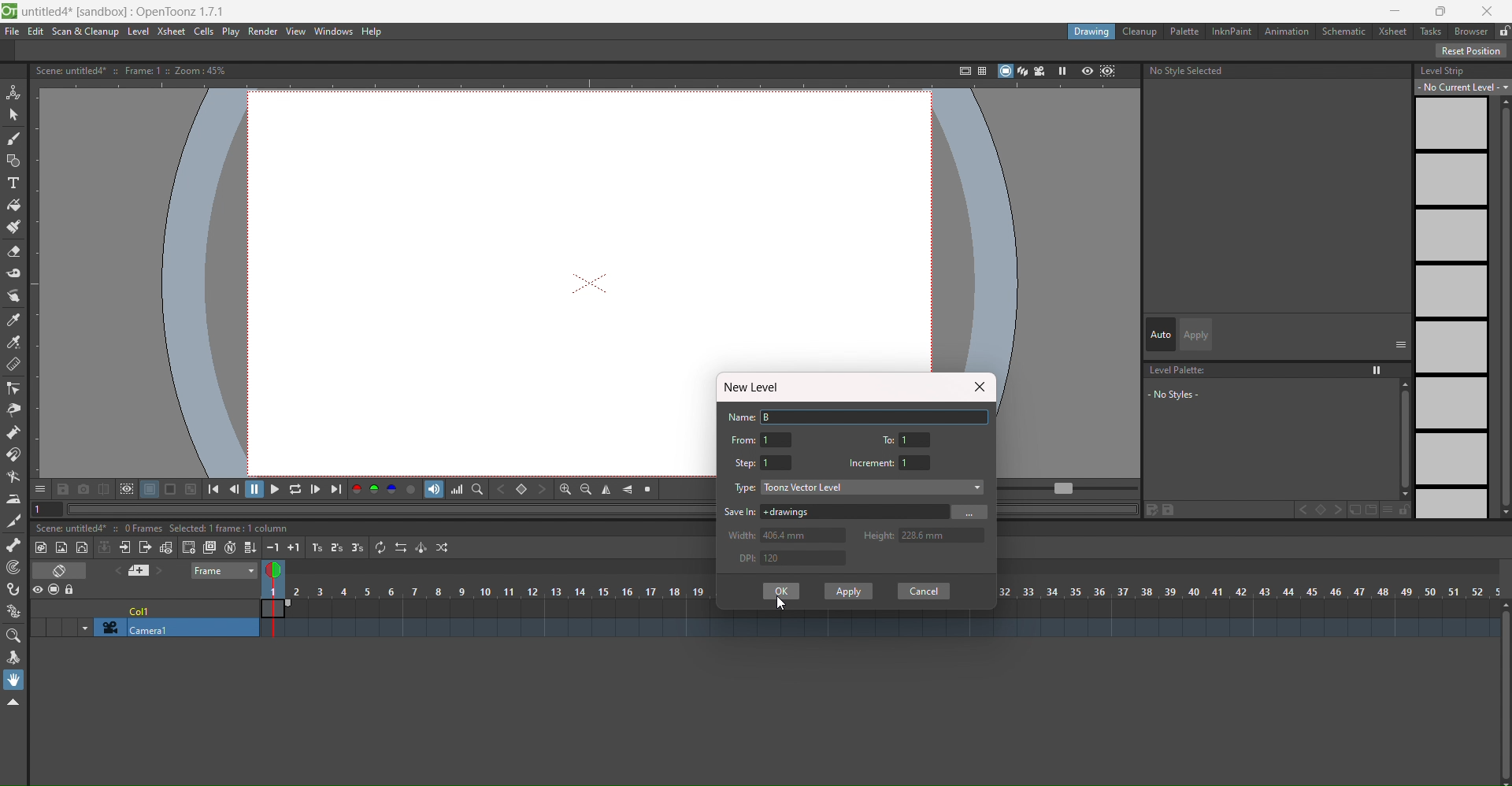 The image size is (1512, 786). Describe the element at coordinates (1141, 32) in the screenshot. I see `cleanup` at that location.